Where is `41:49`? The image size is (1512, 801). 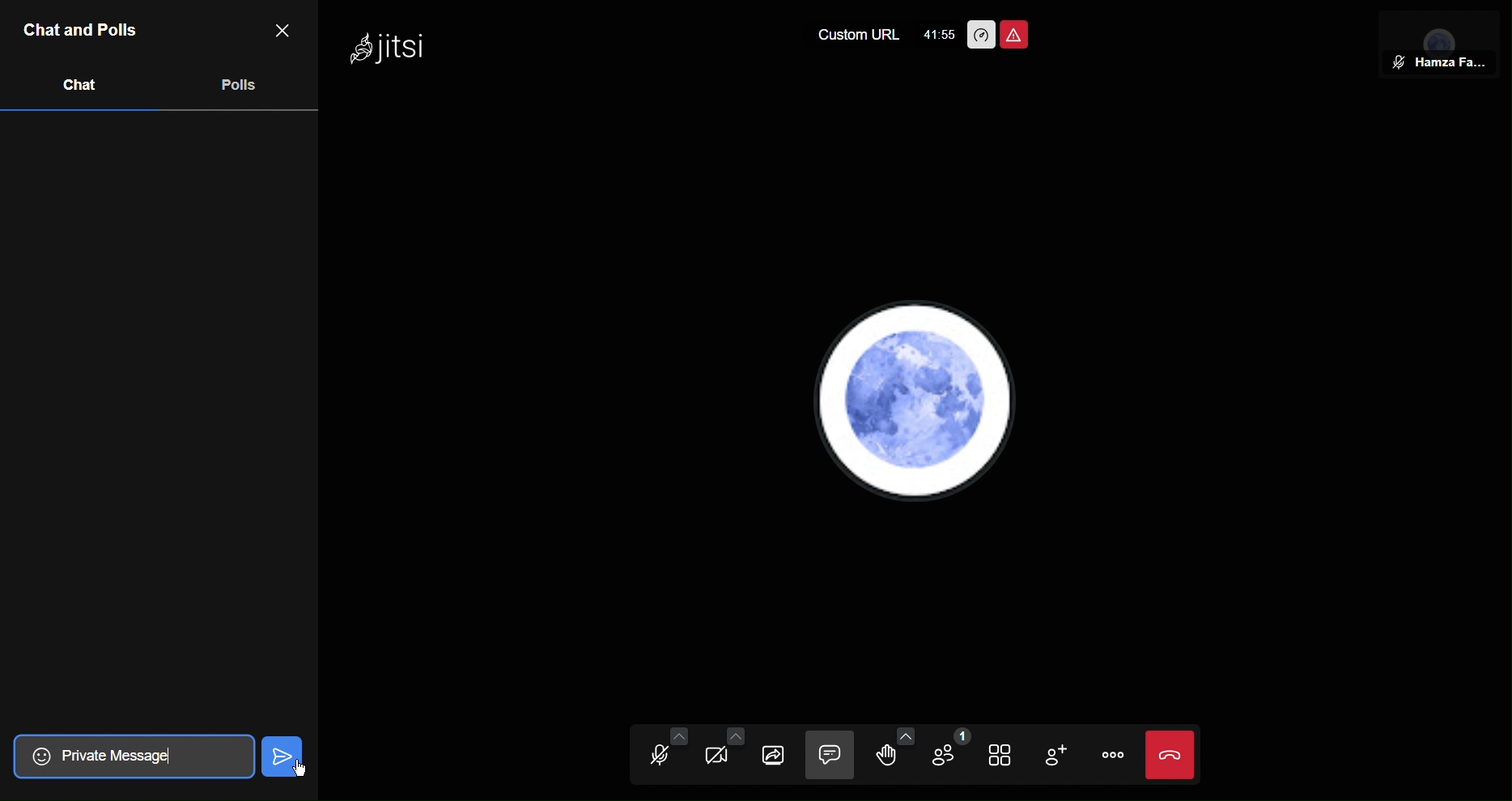
41:49 is located at coordinates (936, 35).